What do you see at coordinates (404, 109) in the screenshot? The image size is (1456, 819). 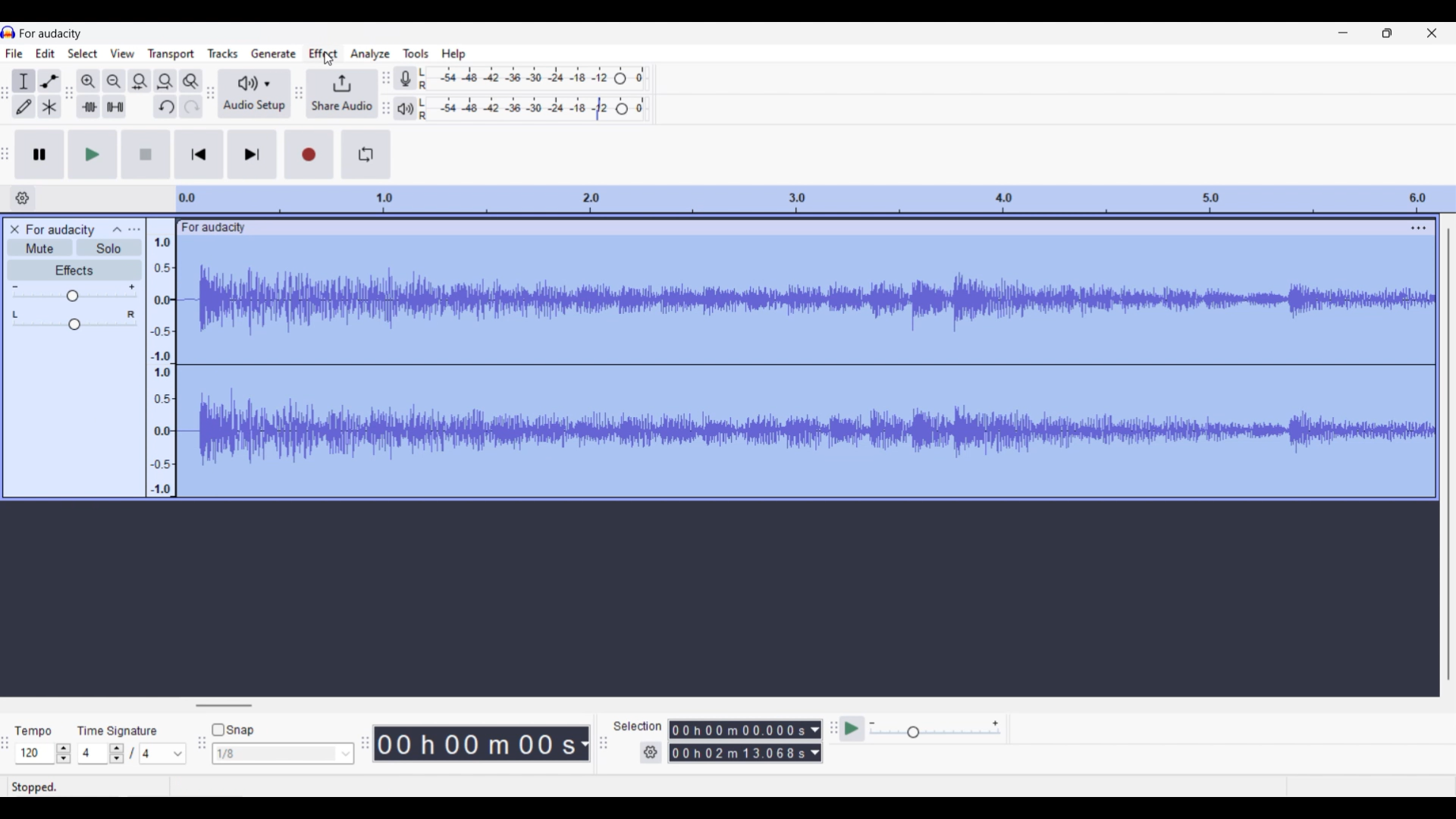 I see `Playback meter` at bounding box center [404, 109].